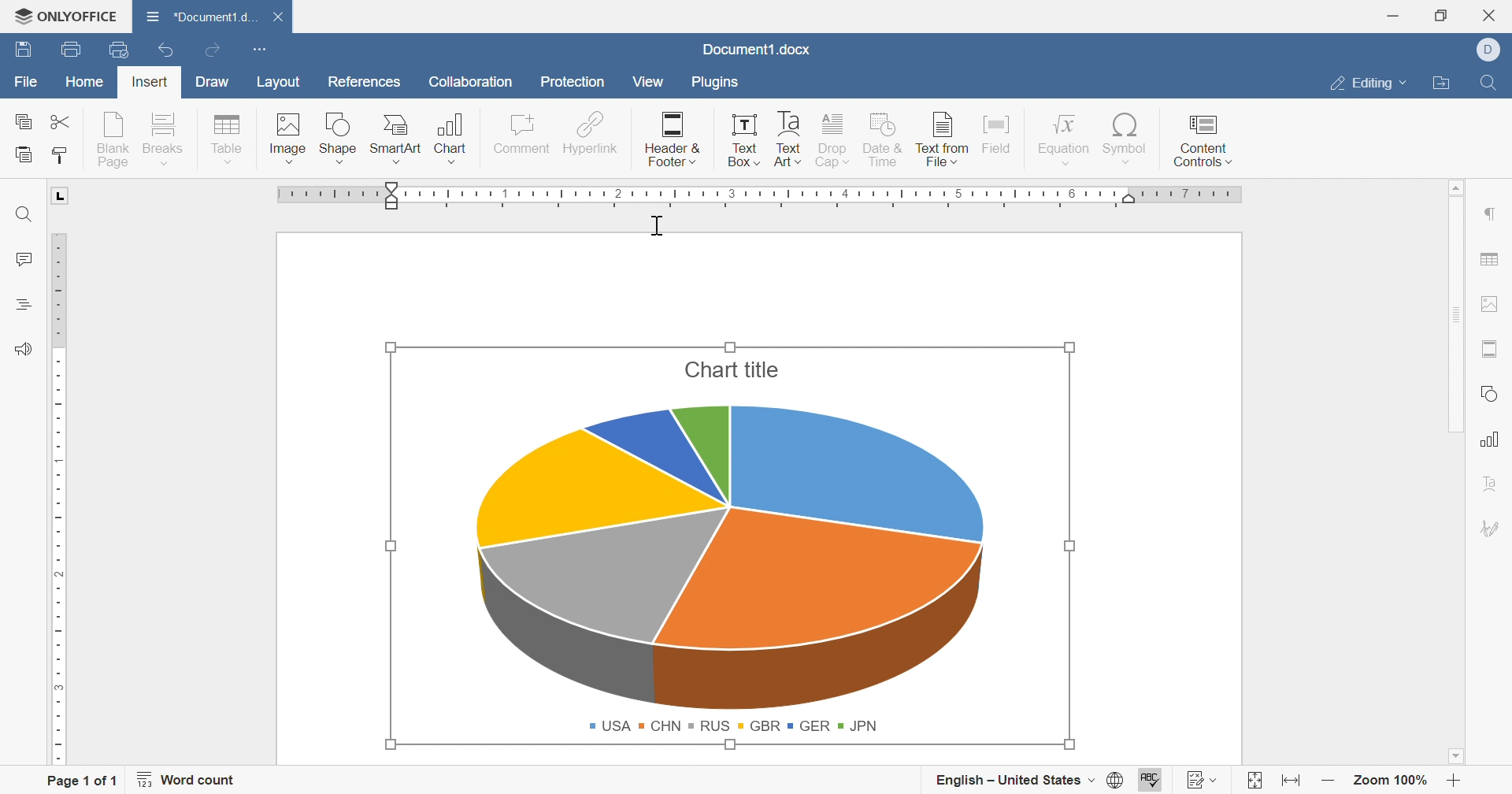 This screenshot has width=1512, height=794. Describe the element at coordinates (288, 135) in the screenshot. I see `Image` at that location.